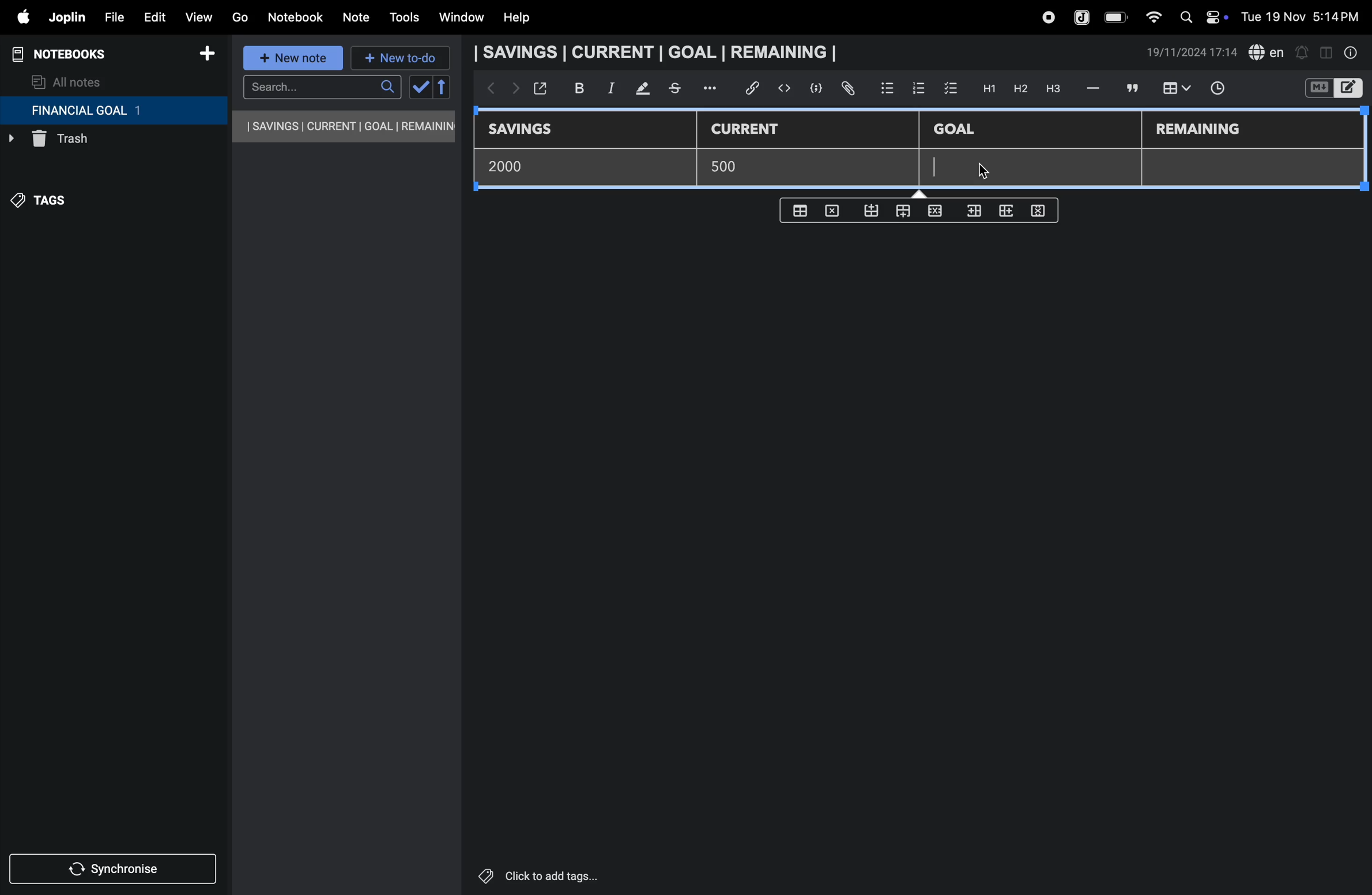 This screenshot has height=895, width=1372. What do you see at coordinates (401, 59) in the screenshot?
I see `new to-do` at bounding box center [401, 59].